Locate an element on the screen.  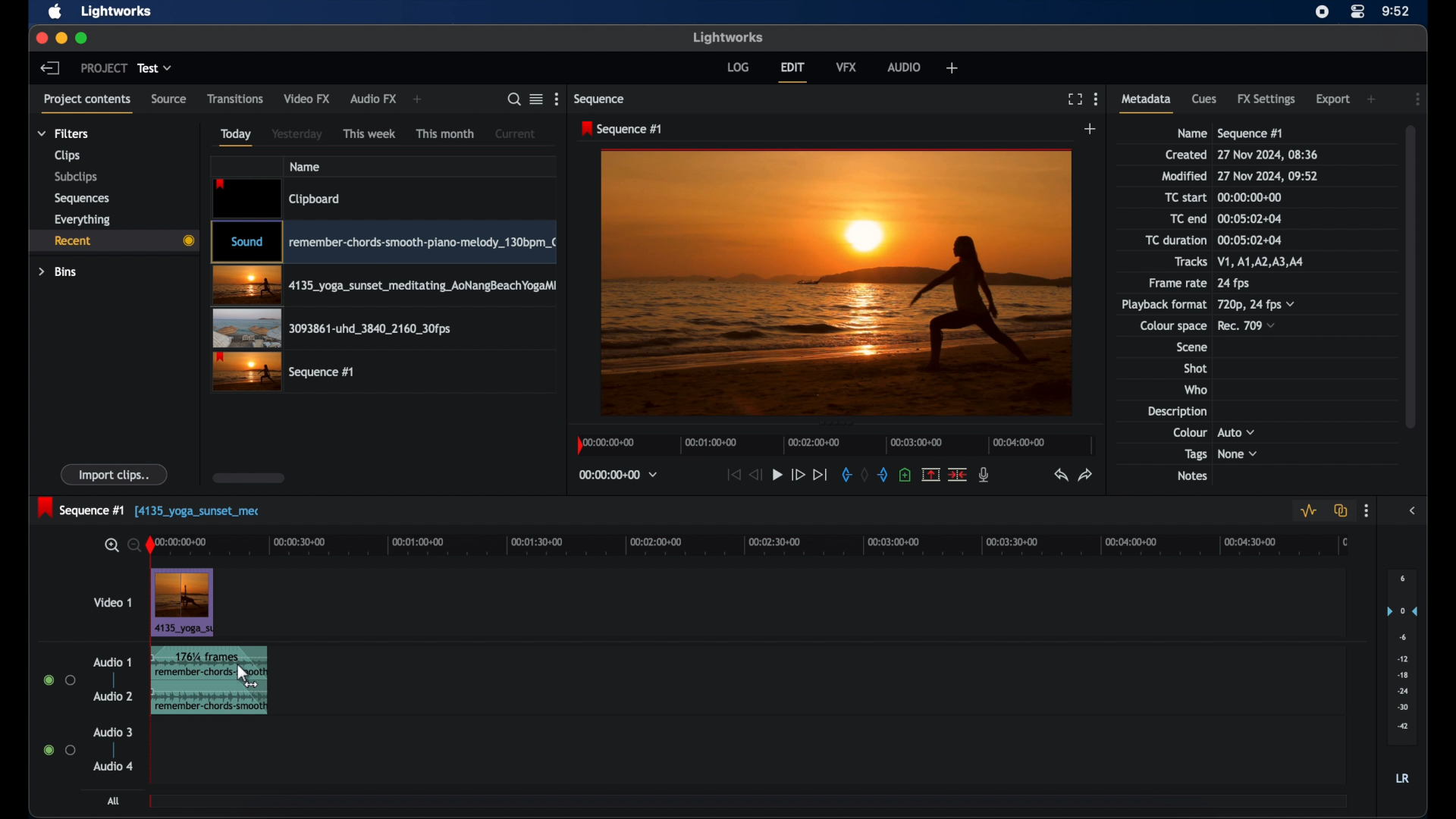
this month is located at coordinates (446, 134).